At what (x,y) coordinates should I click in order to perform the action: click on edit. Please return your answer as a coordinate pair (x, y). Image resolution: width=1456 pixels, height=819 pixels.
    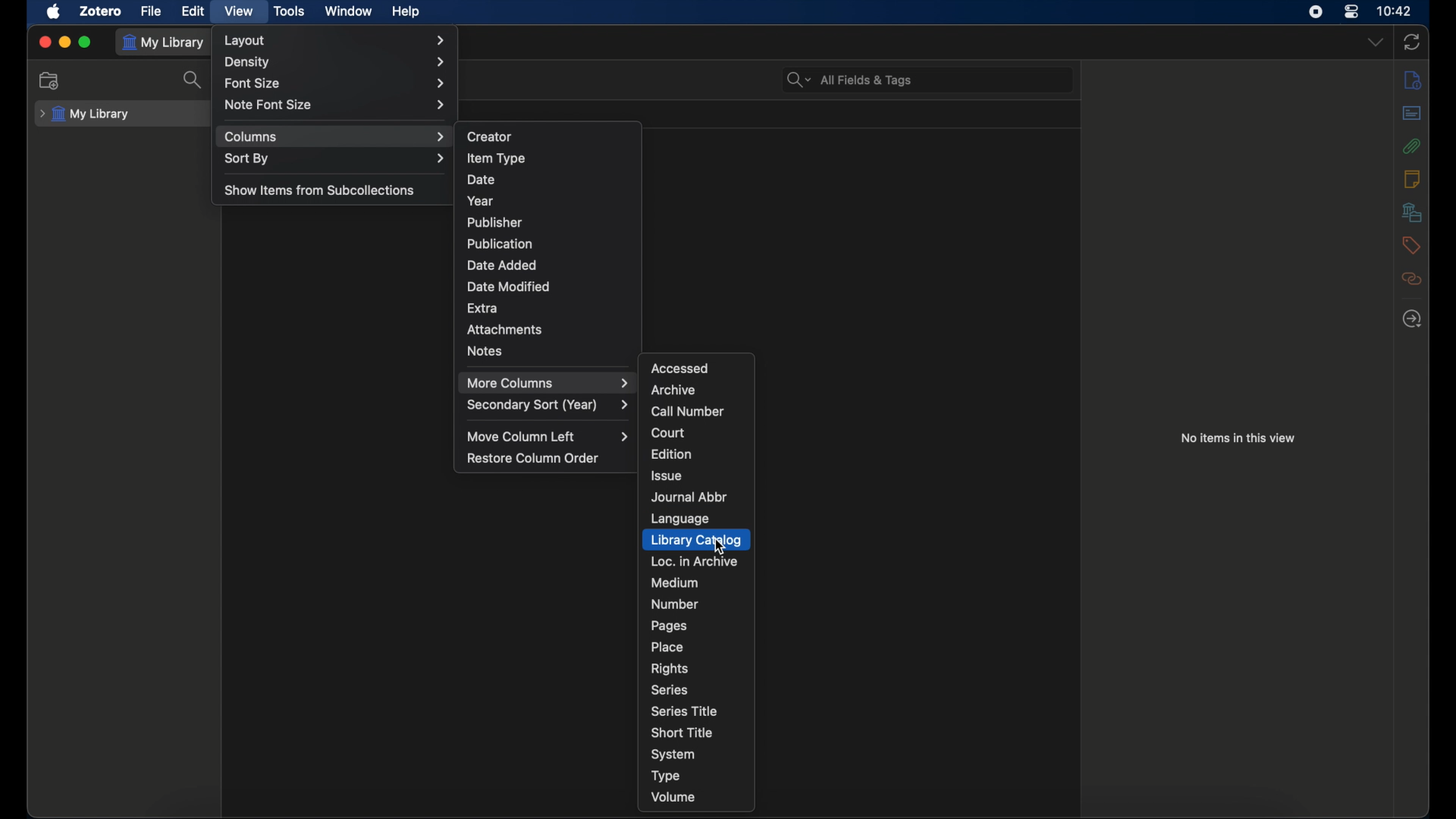
    Looking at the image, I should click on (192, 11).